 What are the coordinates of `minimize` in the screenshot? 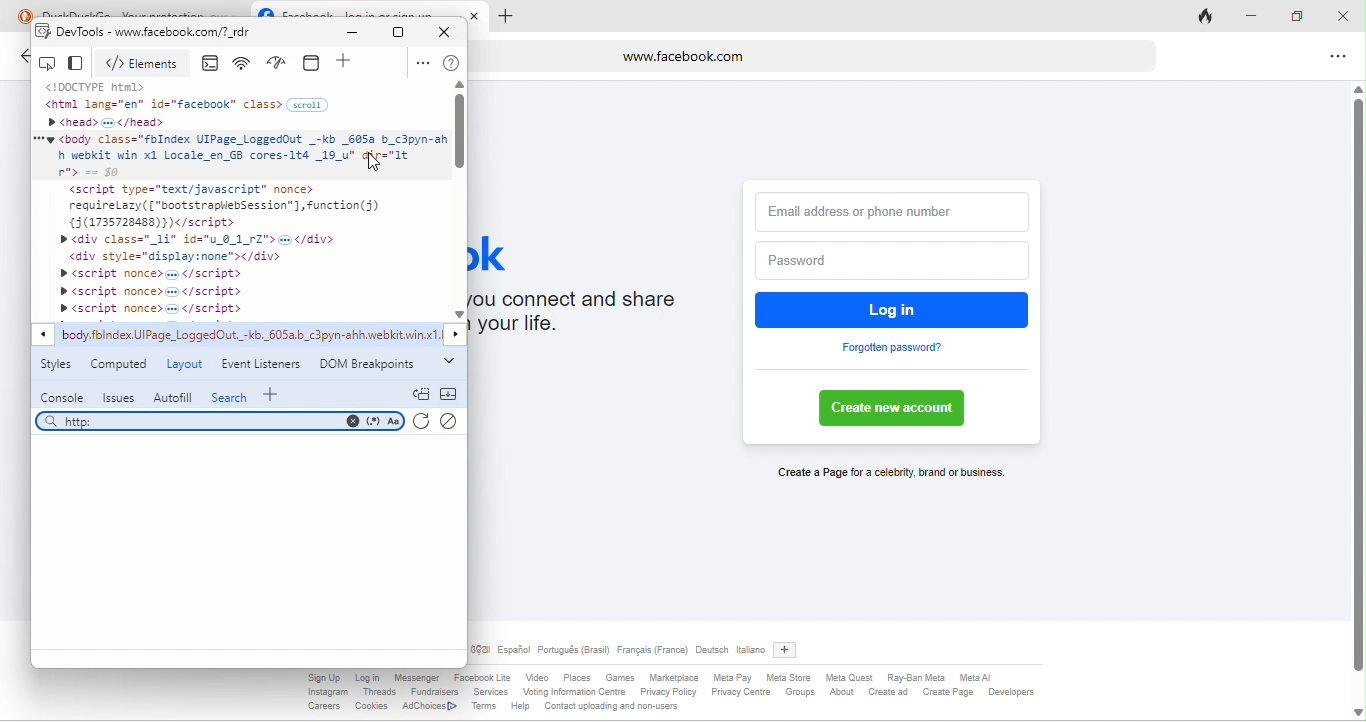 It's located at (1259, 18).